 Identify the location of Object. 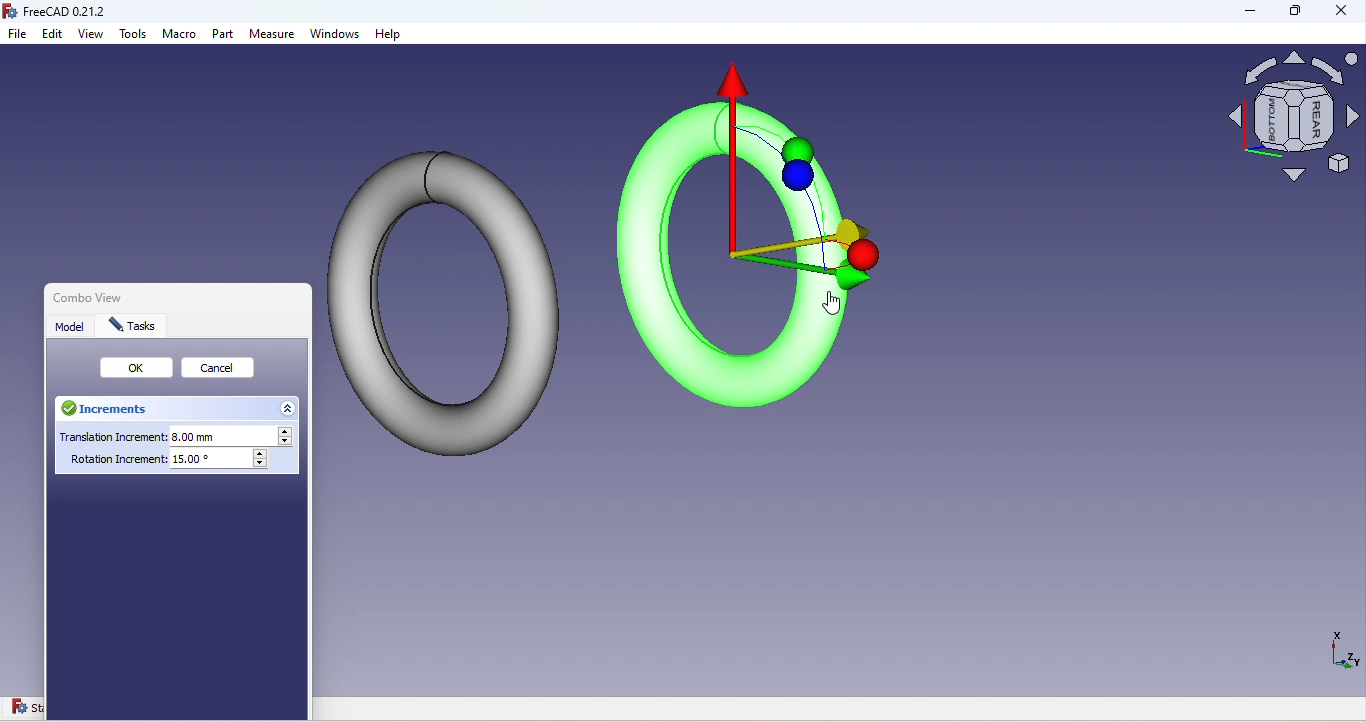
(757, 238).